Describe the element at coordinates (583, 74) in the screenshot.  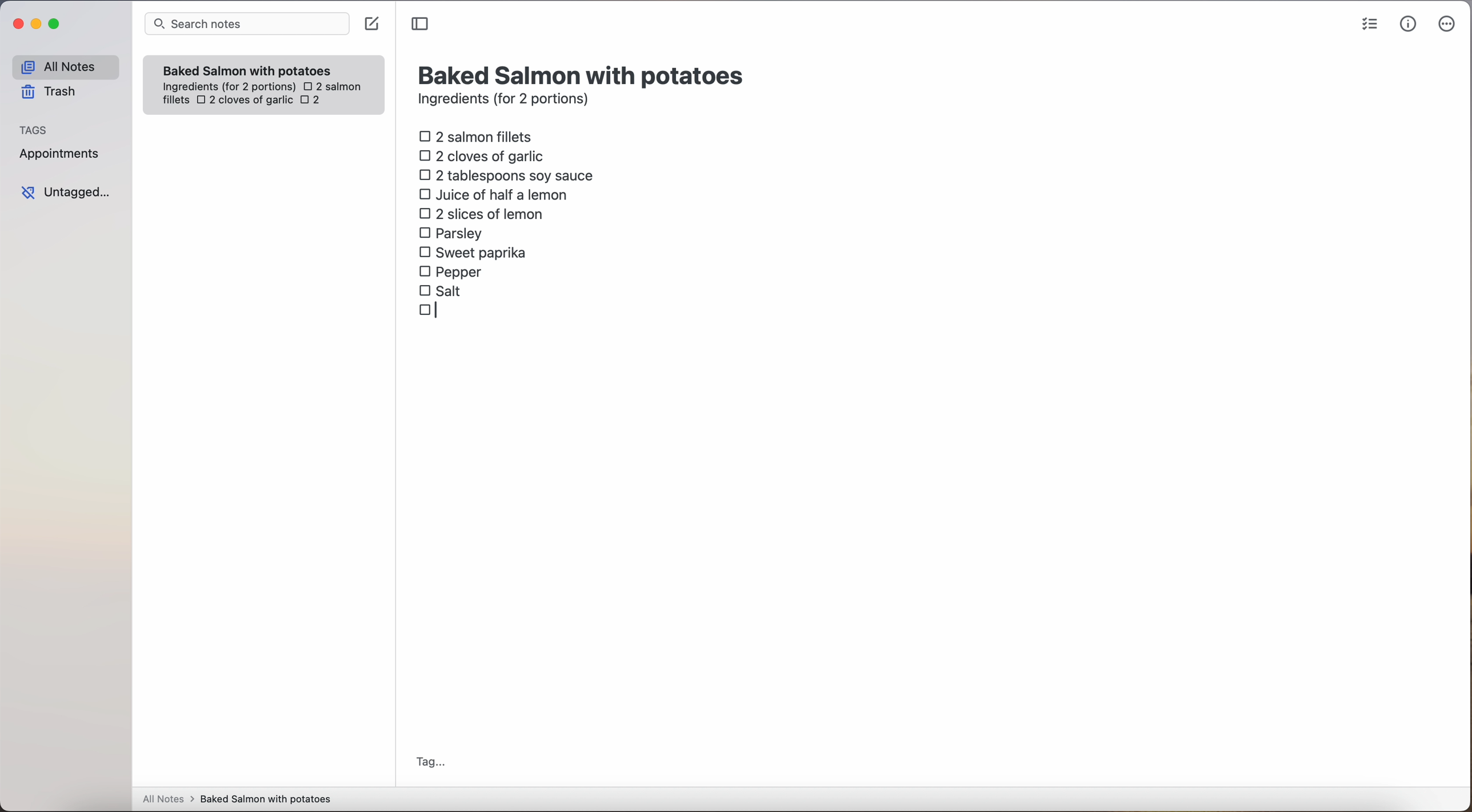
I see `title: Baked Salmon with potatoes` at that location.